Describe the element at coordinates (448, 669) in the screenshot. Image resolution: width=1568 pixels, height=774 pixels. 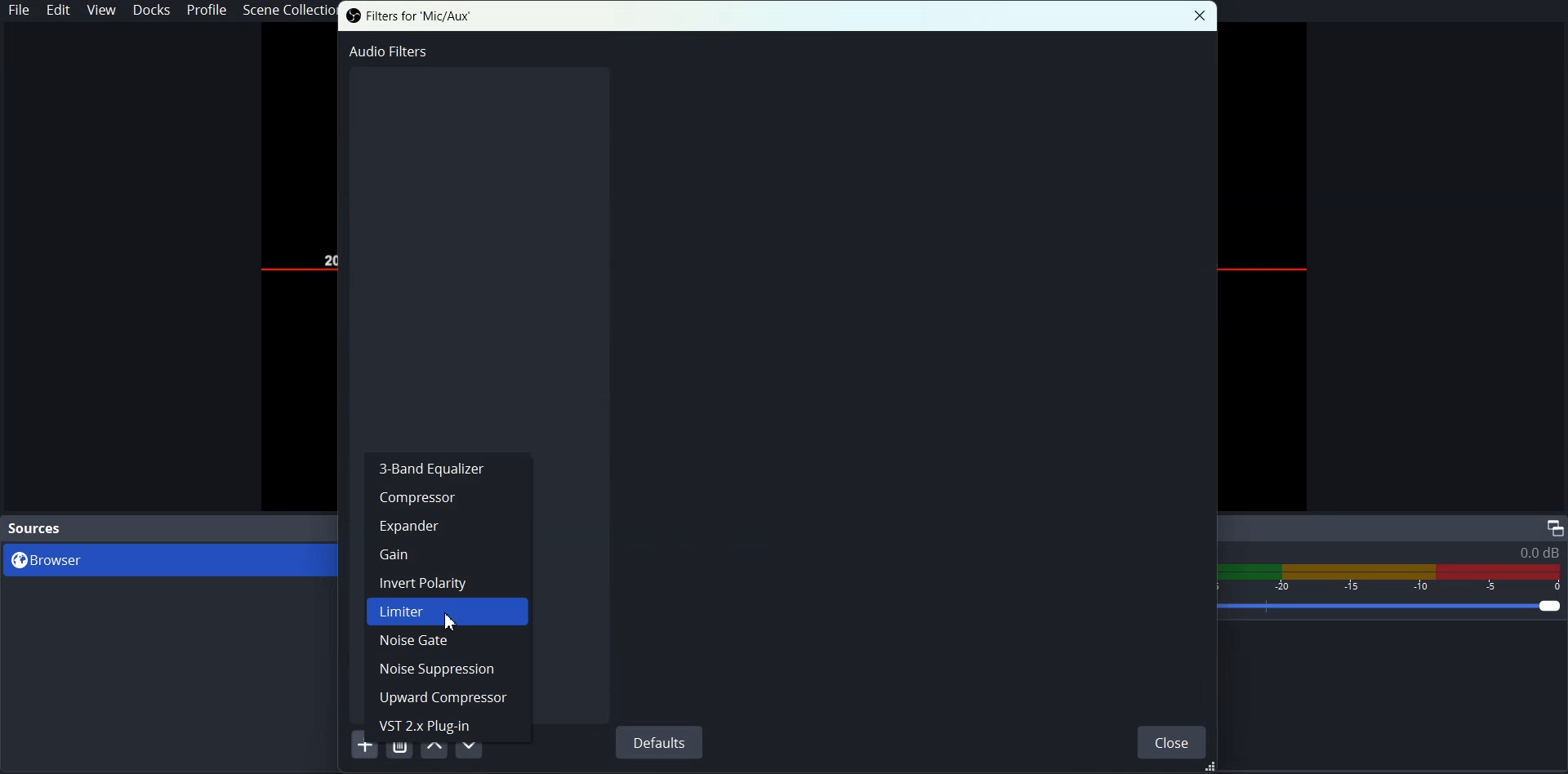
I see `Noise Suppression` at that location.